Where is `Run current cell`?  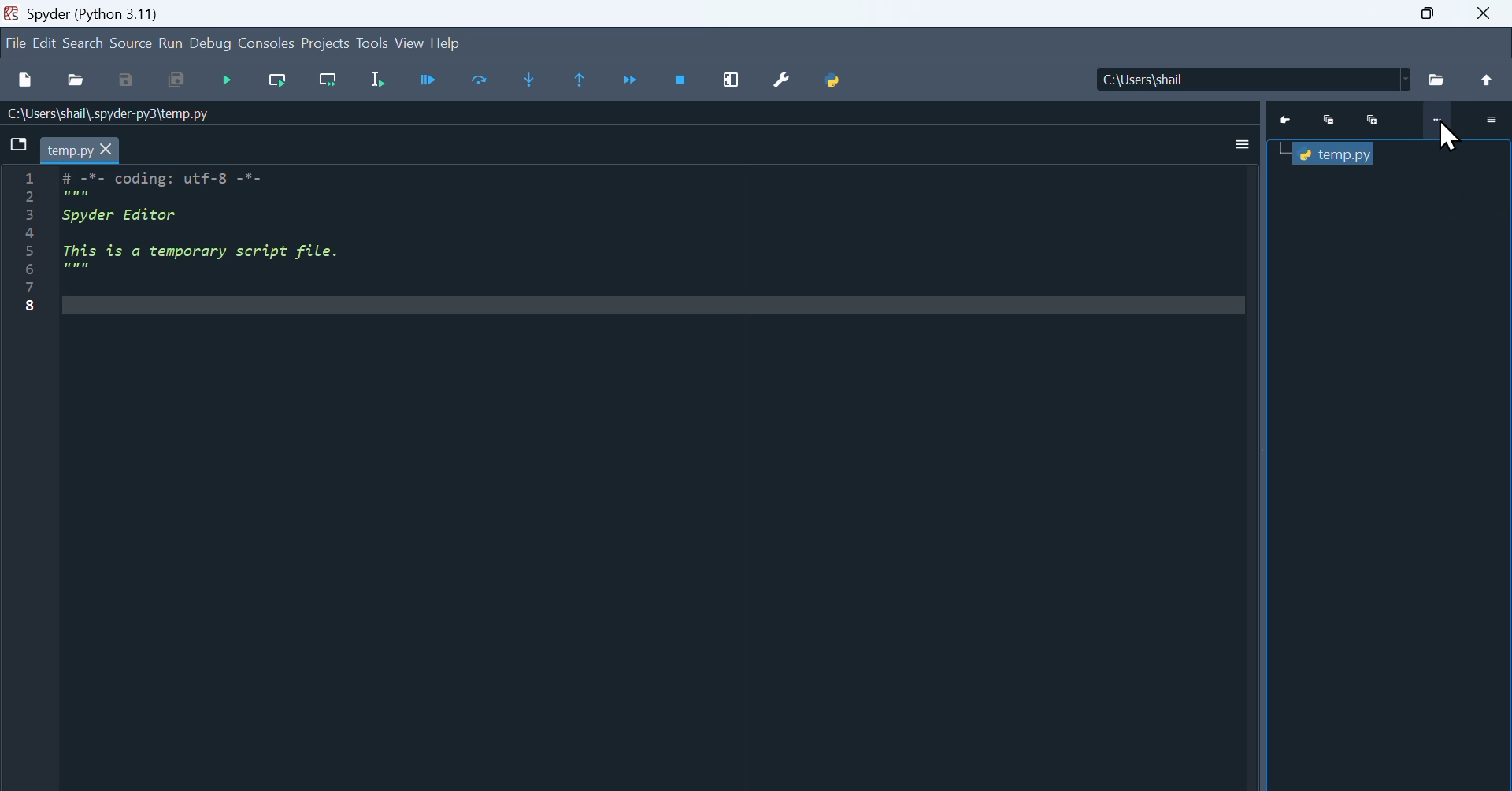
Run current cell is located at coordinates (278, 81).